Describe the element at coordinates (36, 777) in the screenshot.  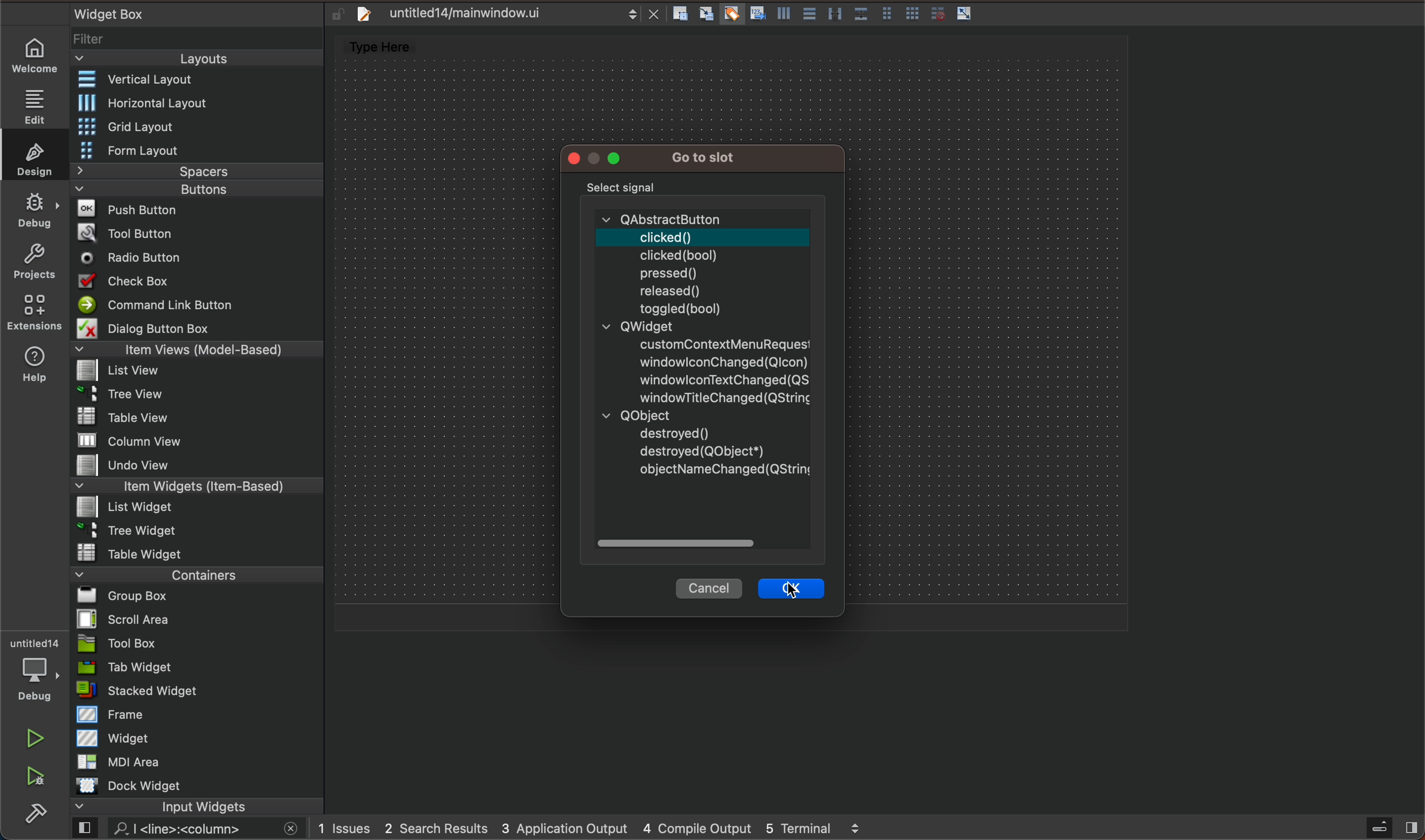
I see `run and debug` at that location.